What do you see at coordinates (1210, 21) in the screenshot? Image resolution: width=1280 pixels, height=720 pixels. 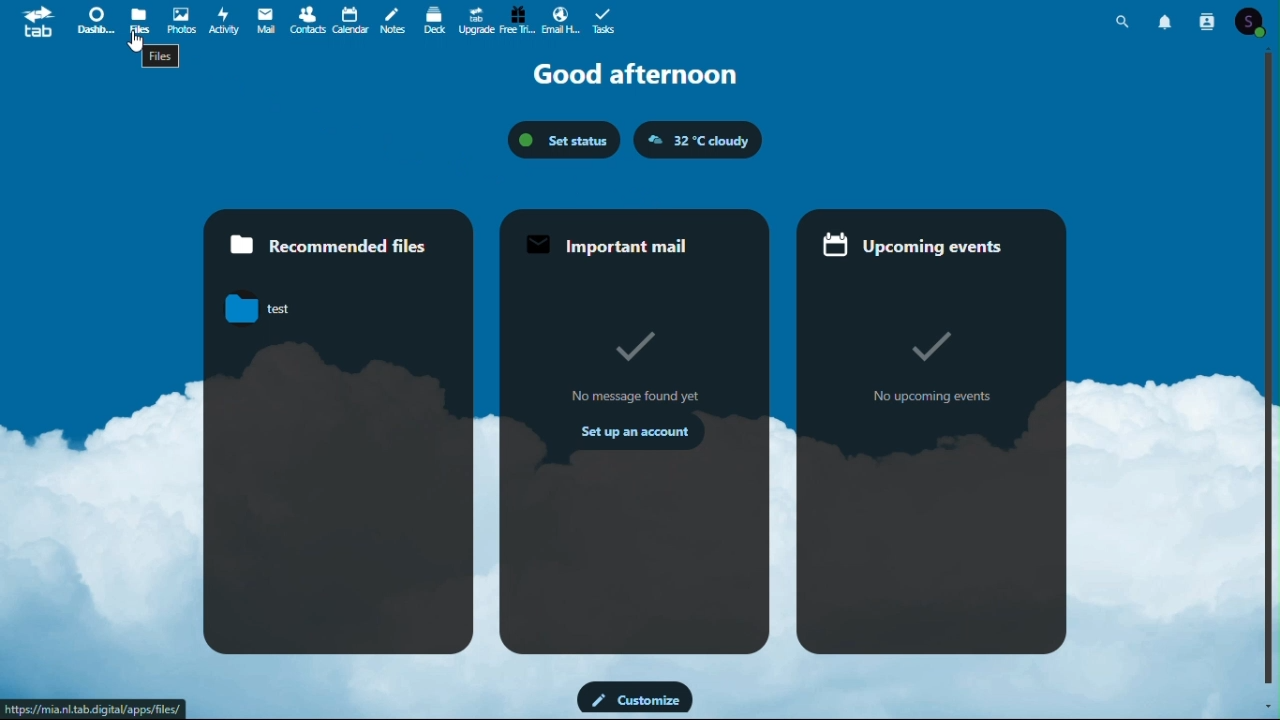 I see `contacts` at bounding box center [1210, 21].